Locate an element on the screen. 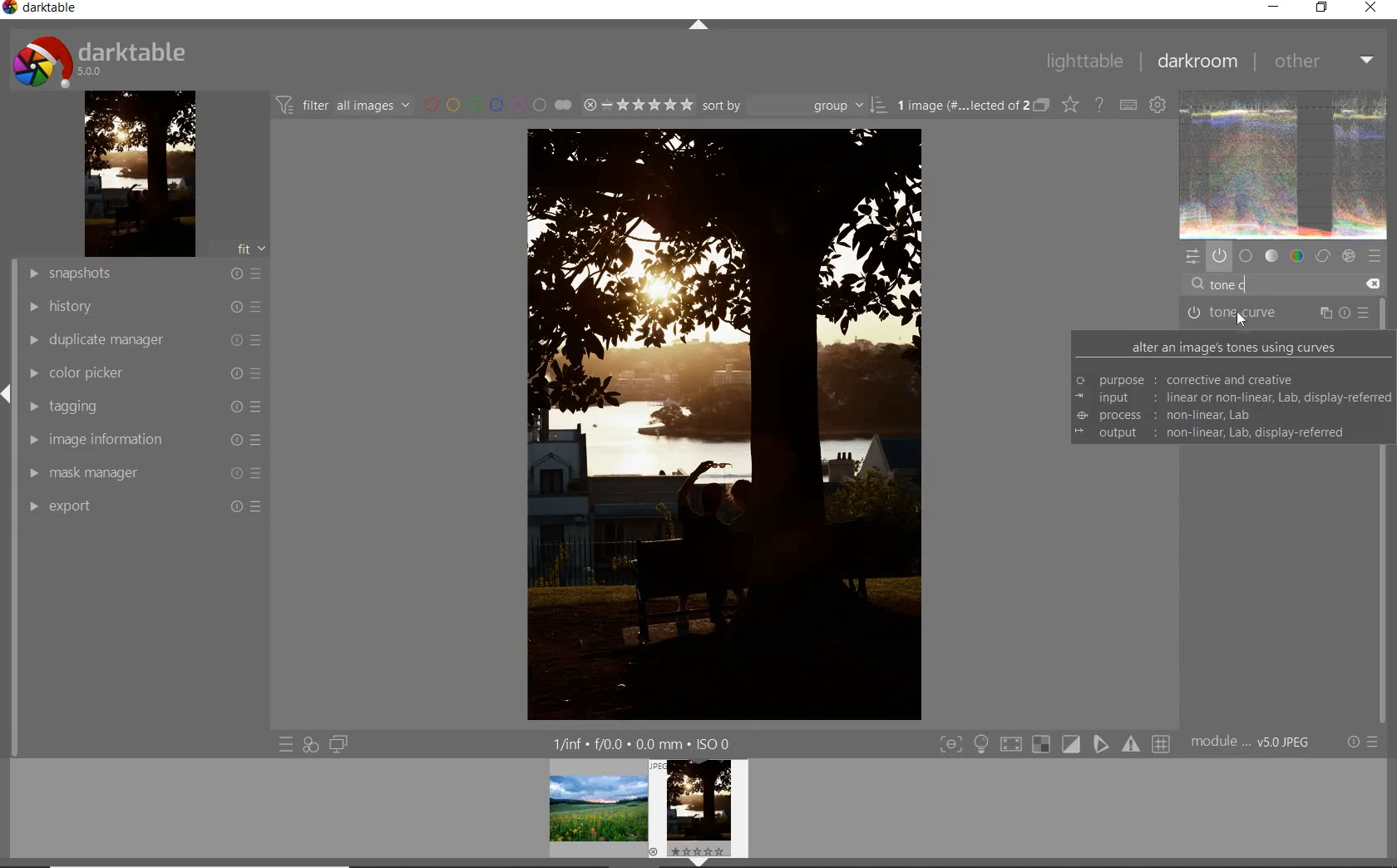 Image resolution: width=1397 pixels, height=868 pixels. image information is located at coordinates (141, 439).